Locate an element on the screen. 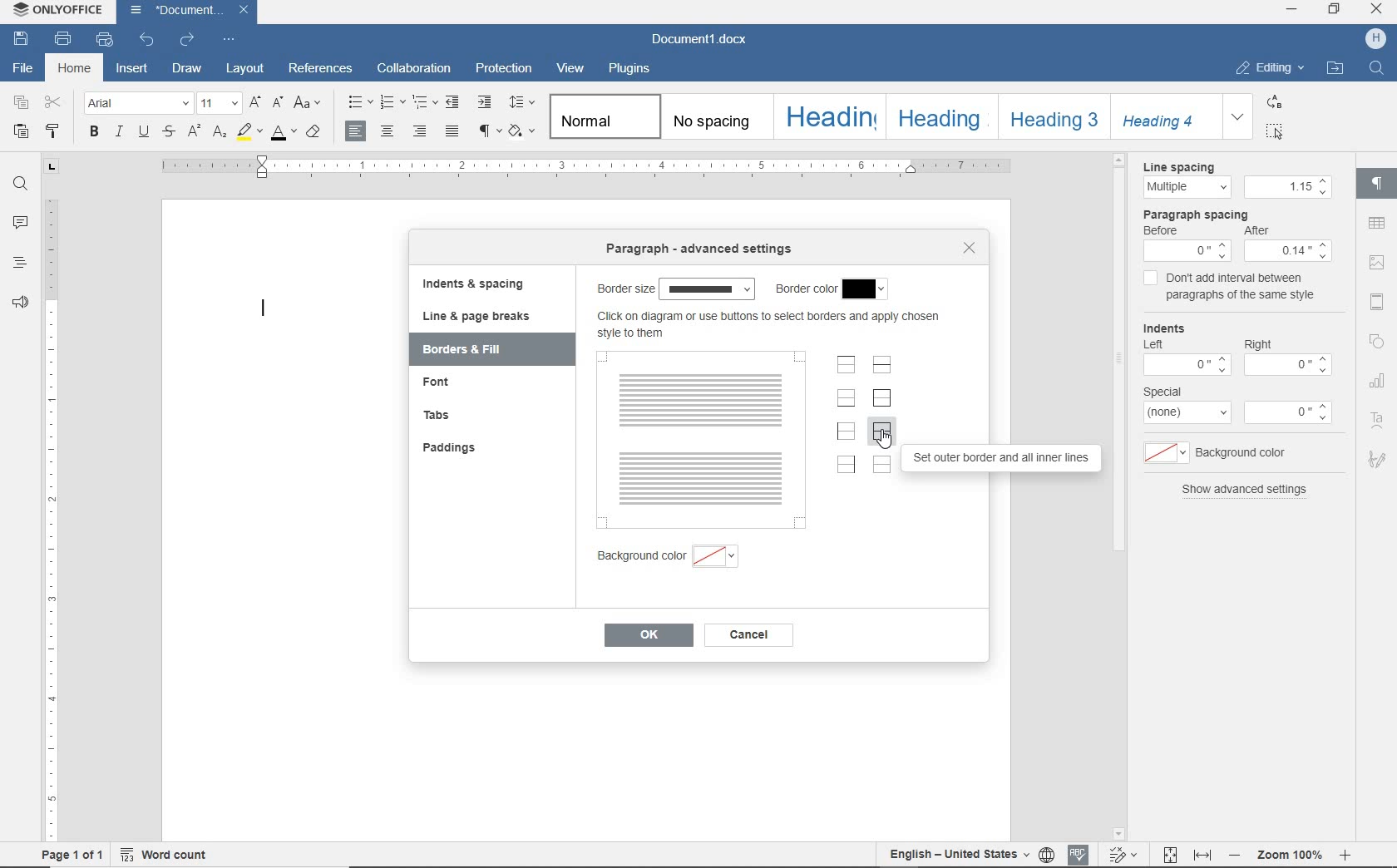  paragraph settings is located at coordinates (1381, 185).